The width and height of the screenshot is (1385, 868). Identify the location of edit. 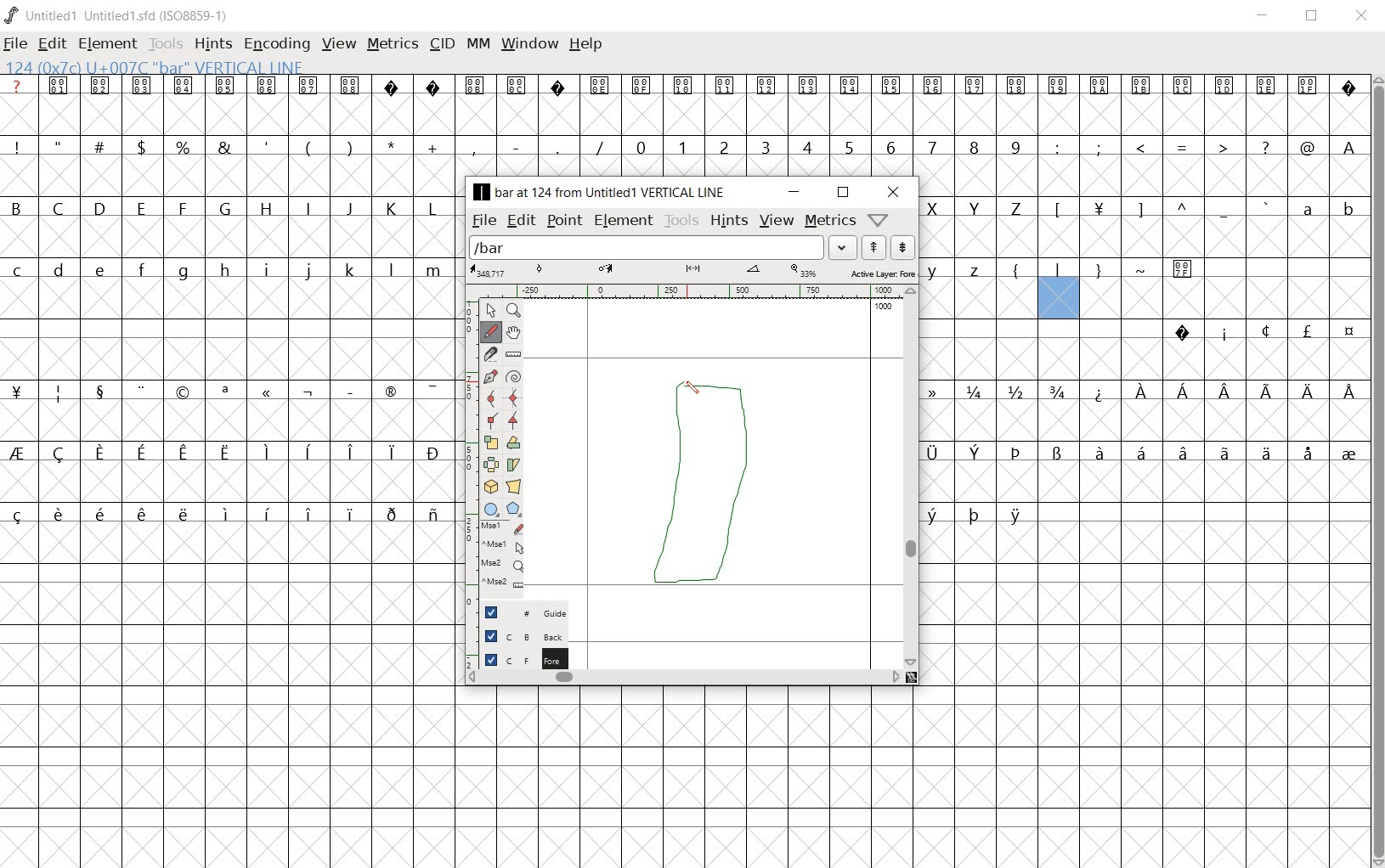
(51, 43).